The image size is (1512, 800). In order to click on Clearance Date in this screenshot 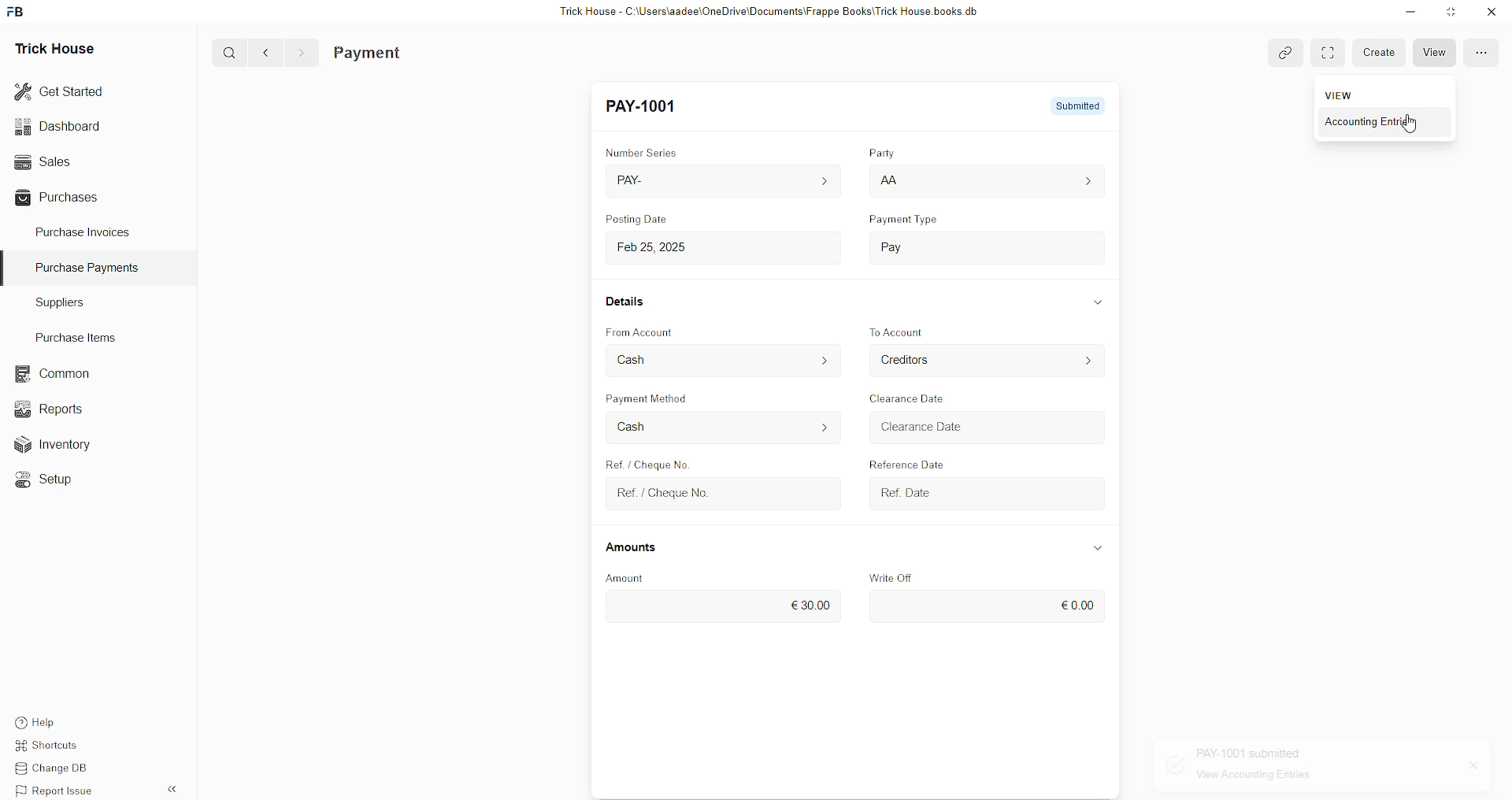, I will do `click(916, 399)`.